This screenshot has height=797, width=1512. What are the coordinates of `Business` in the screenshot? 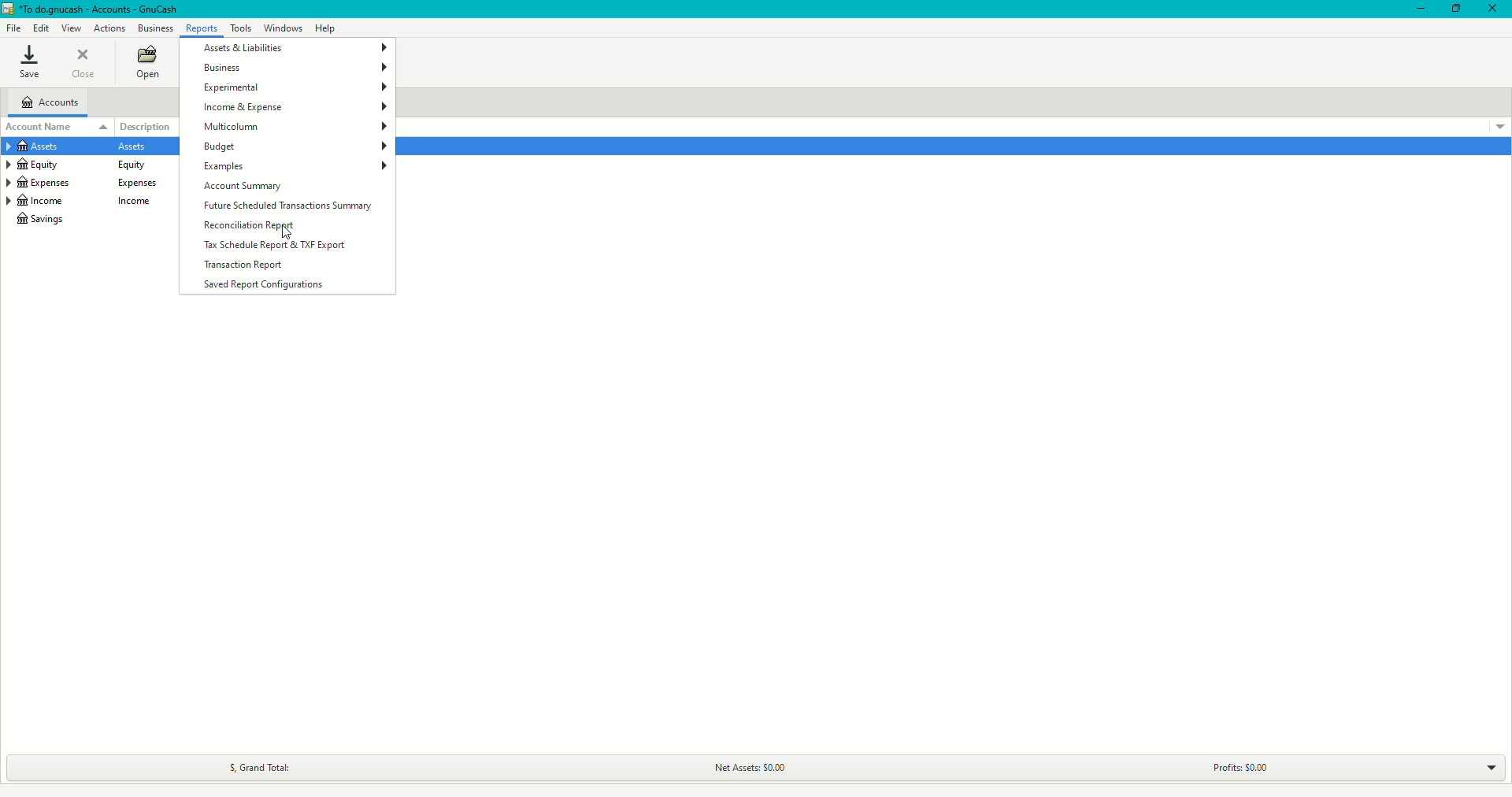 It's located at (292, 69).